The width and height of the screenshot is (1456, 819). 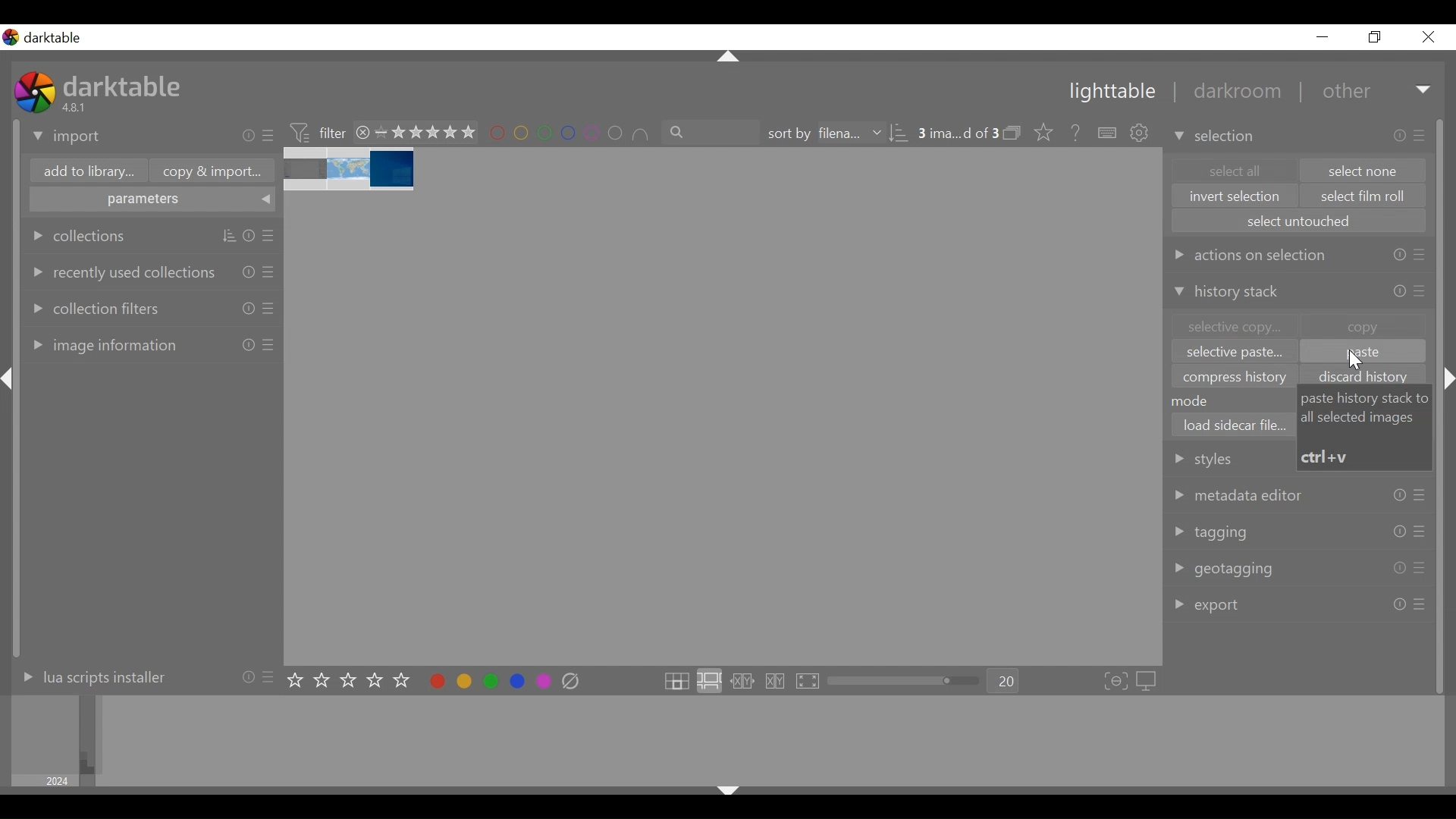 I want to click on filter, so click(x=317, y=131).